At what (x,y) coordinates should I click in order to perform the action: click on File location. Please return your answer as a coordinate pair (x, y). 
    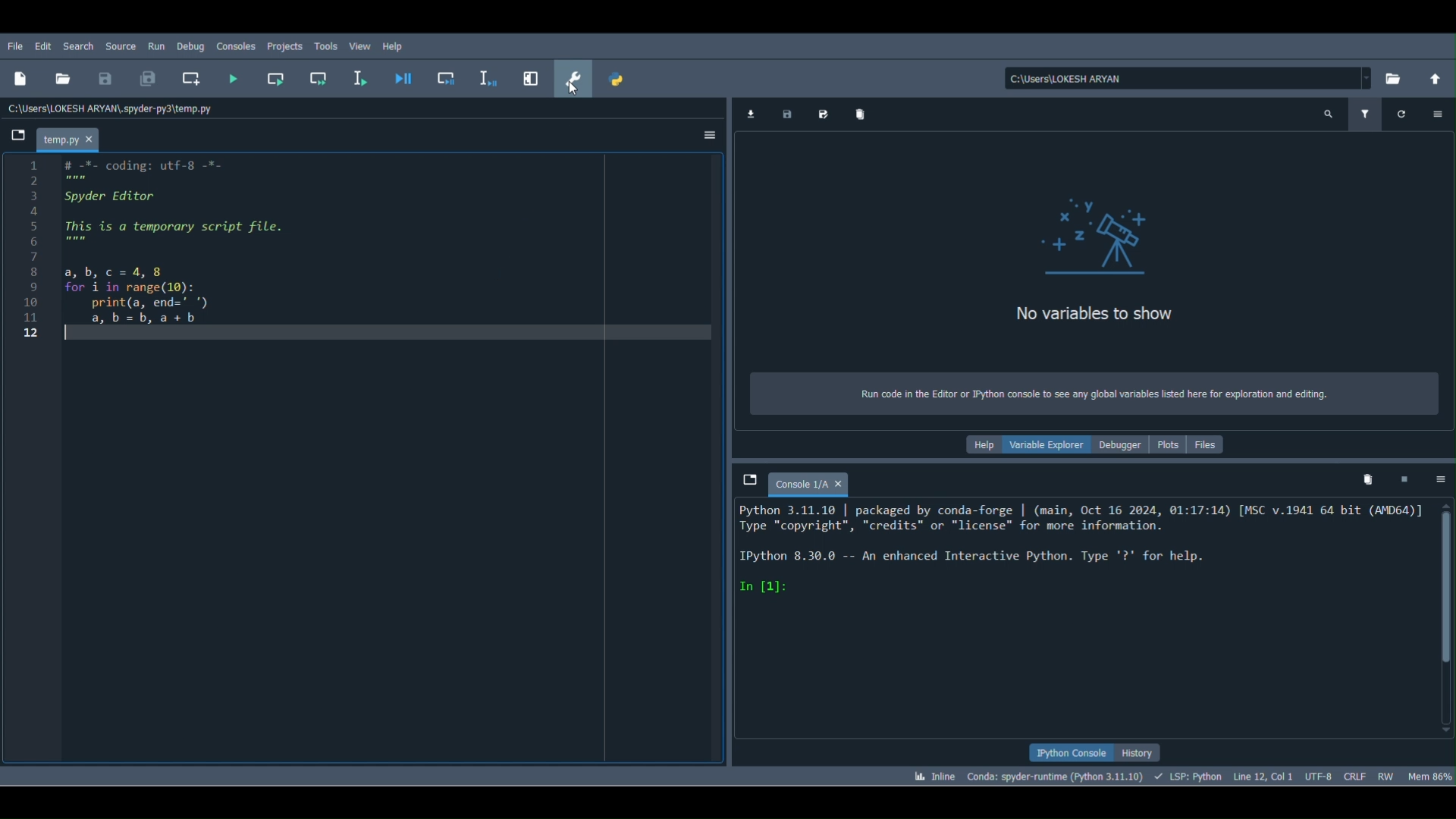
    Looking at the image, I should click on (115, 108).